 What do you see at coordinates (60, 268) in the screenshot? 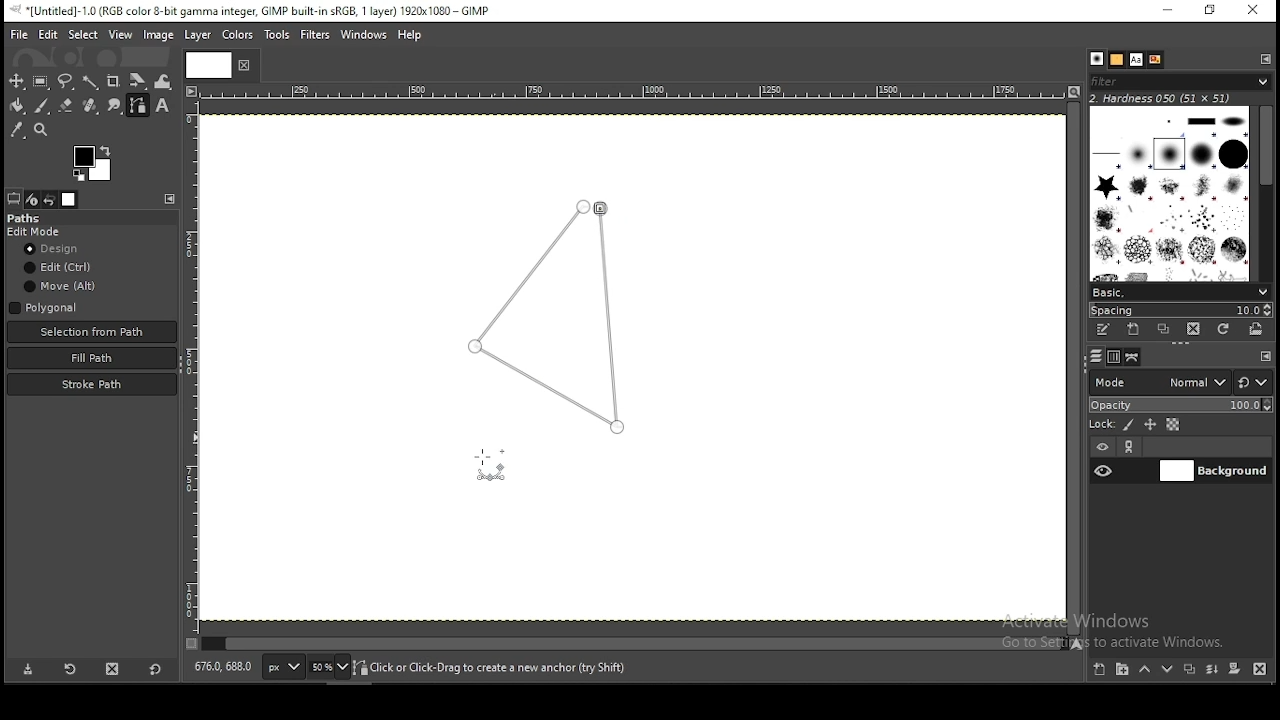
I see `edit` at bounding box center [60, 268].